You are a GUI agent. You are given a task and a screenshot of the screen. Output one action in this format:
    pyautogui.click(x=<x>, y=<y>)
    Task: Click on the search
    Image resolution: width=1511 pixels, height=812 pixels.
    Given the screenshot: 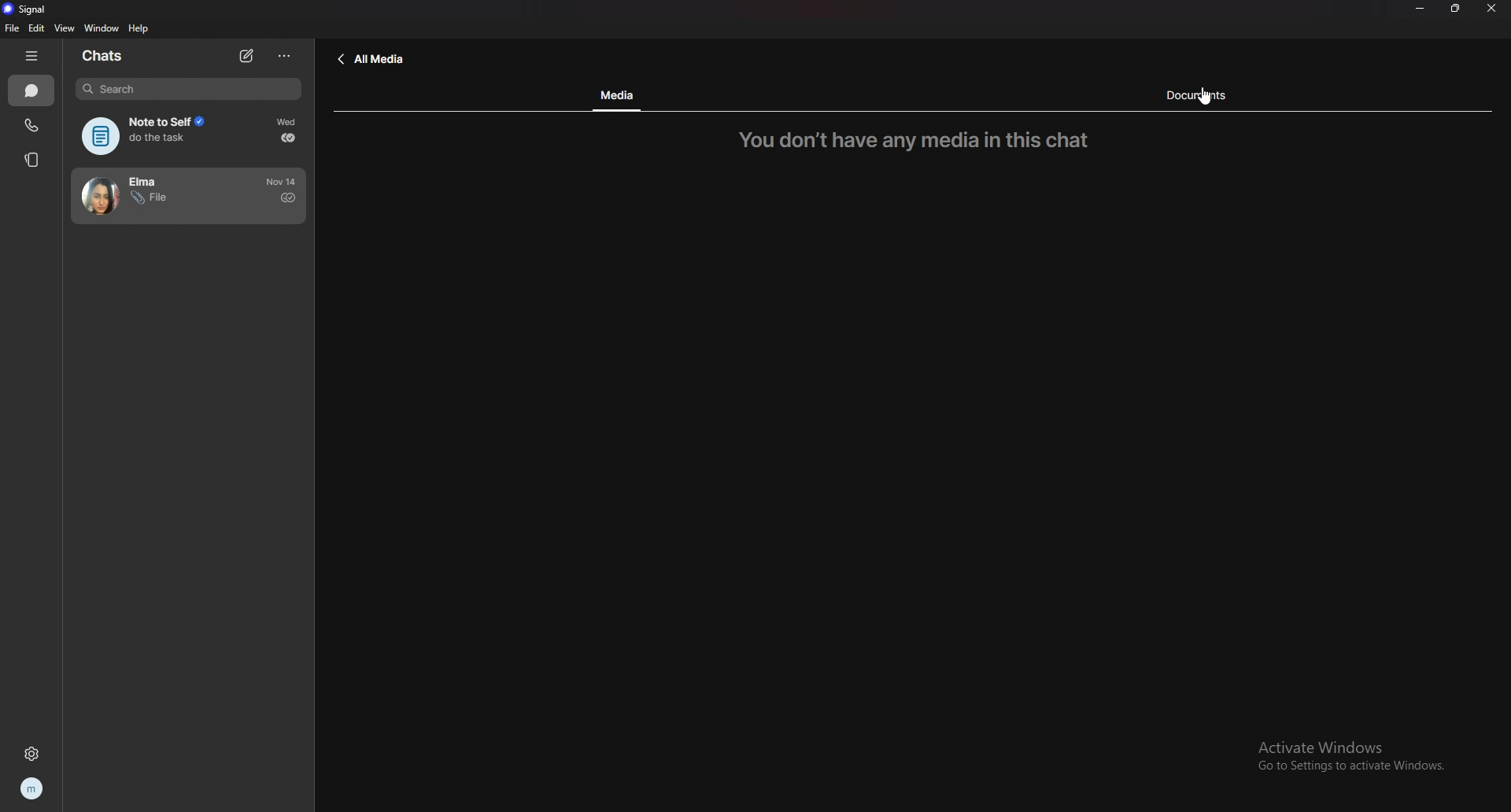 What is the action you would take?
    pyautogui.click(x=189, y=89)
    